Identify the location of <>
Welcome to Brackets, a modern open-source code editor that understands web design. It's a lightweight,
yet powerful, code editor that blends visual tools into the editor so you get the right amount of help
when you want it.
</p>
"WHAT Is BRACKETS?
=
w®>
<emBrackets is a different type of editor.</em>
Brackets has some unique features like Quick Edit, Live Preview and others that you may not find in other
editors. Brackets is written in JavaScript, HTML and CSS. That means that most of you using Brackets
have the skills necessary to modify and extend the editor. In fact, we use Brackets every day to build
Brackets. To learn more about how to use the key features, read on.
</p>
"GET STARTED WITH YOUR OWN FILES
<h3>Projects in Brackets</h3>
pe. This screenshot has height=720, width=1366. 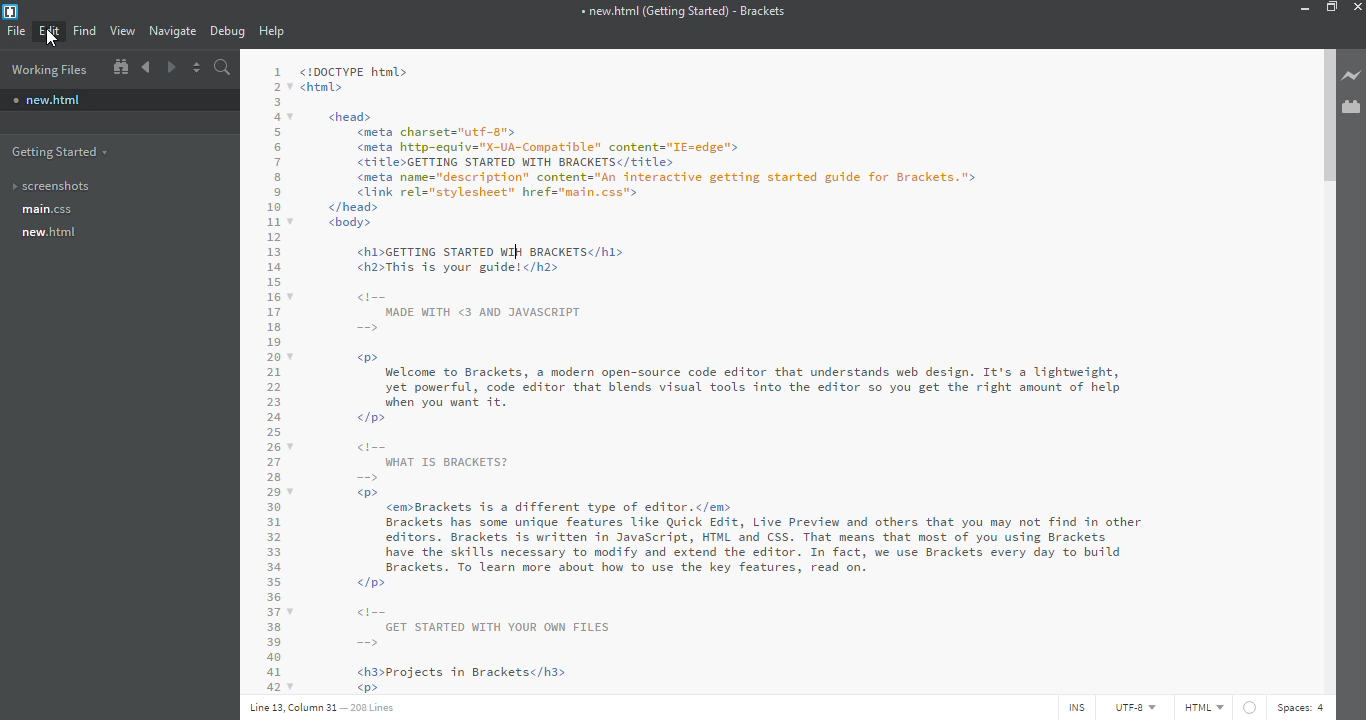
(726, 521).